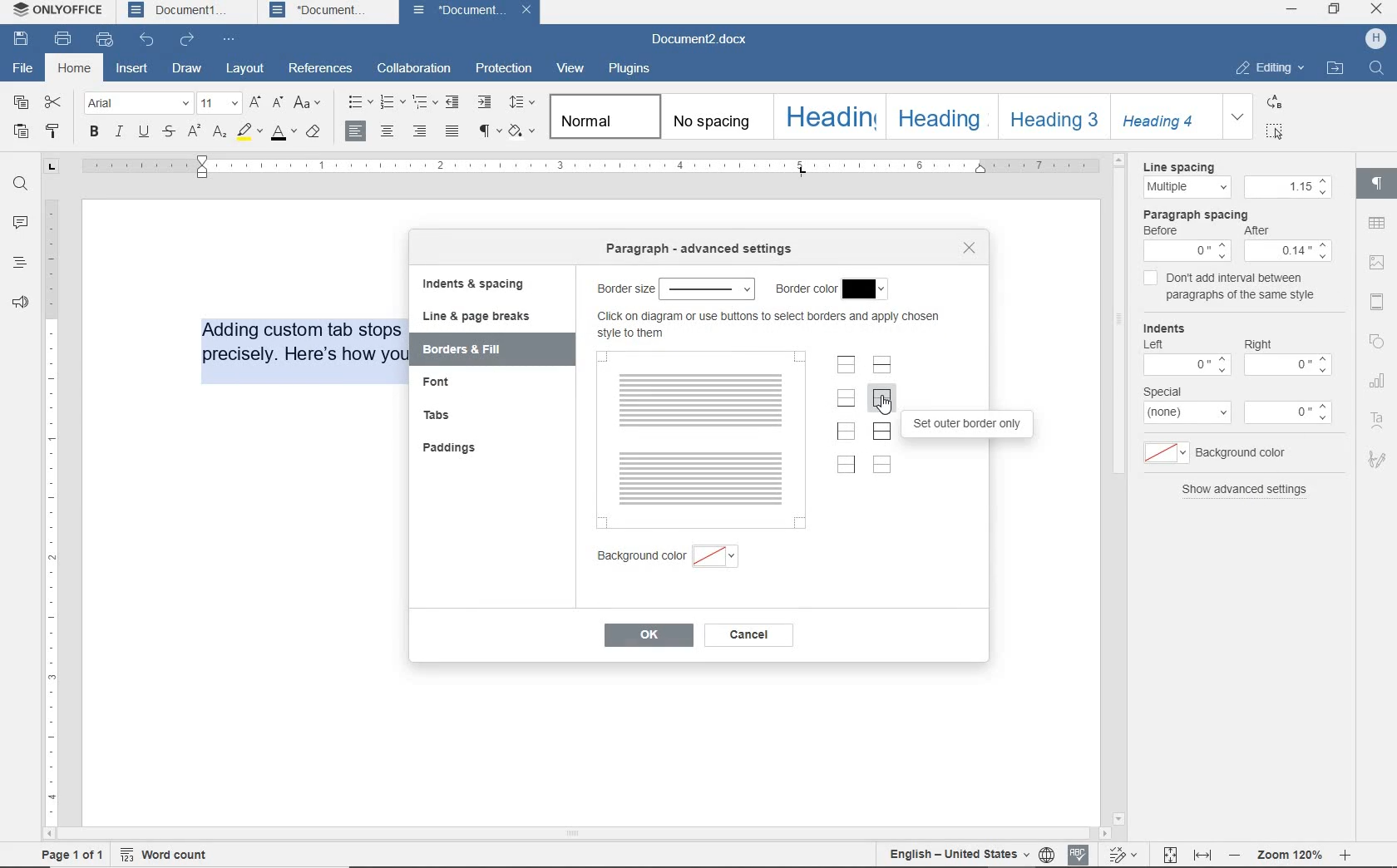  What do you see at coordinates (1238, 116) in the screenshot?
I see `expand` at bounding box center [1238, 116].